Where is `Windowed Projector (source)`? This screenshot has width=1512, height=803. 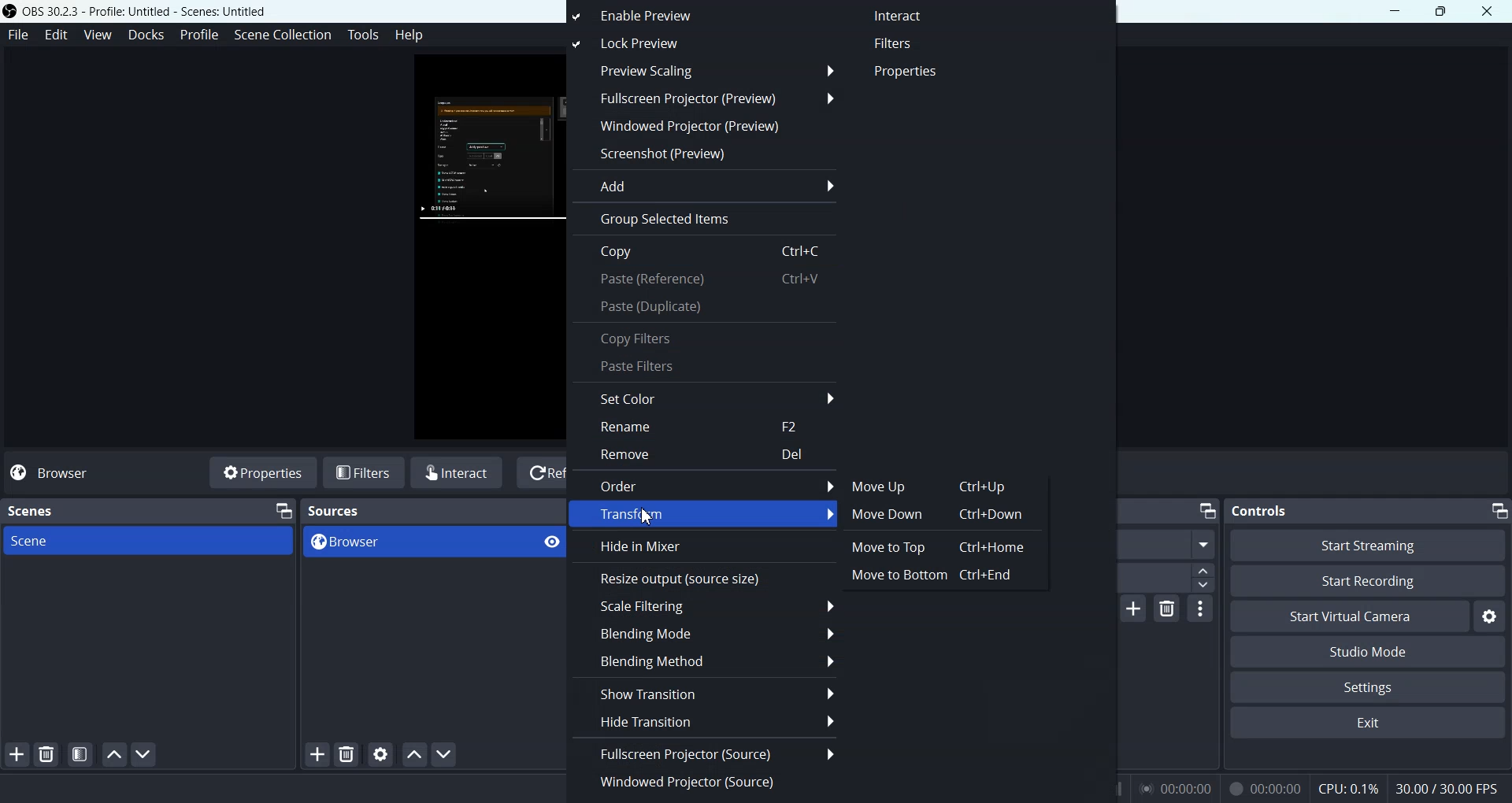 Windowed Projector (source) is located at coordinates (704, 781).